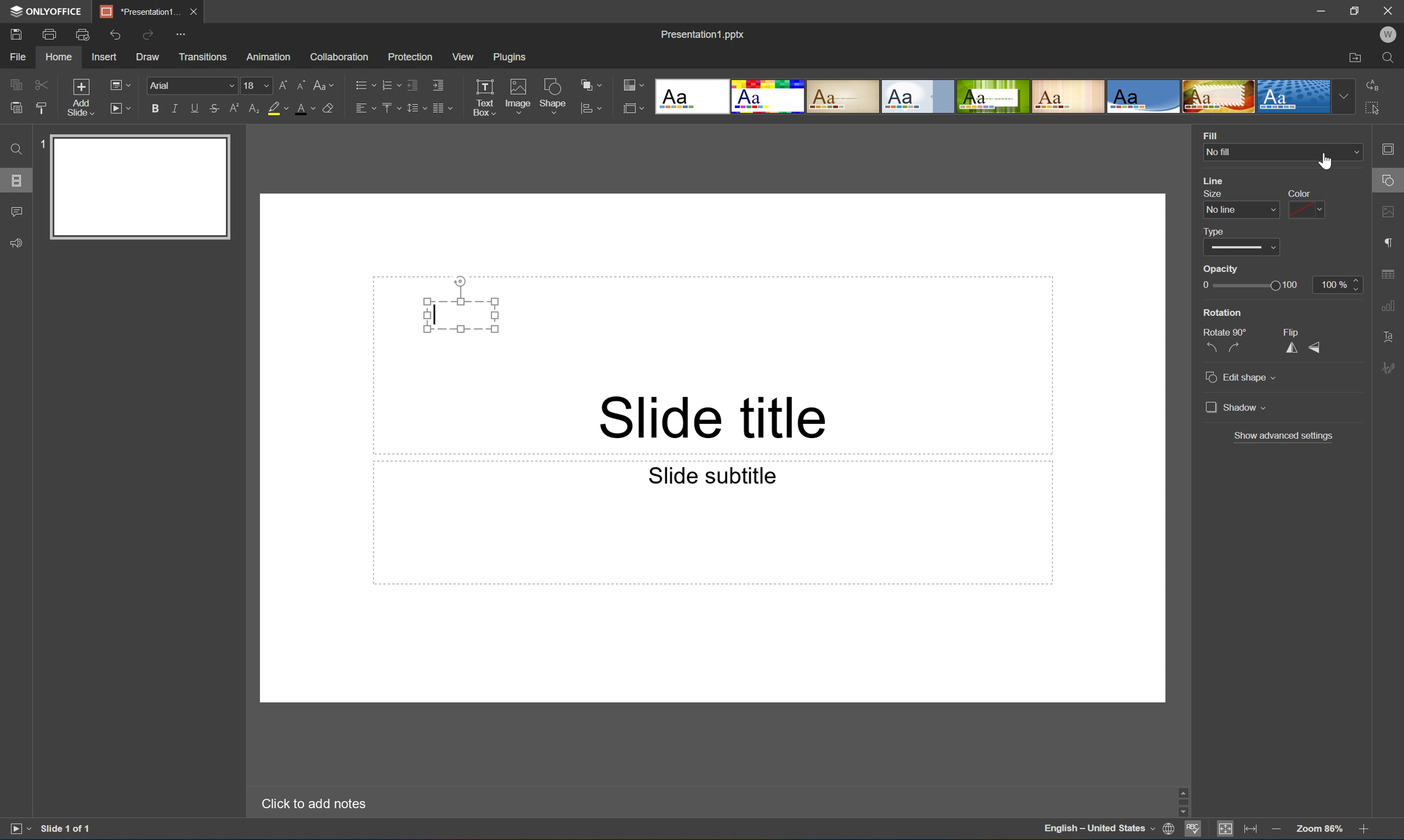  What do you see at coordinates (192, 10) in the screenshot?
I see `Close` at bounding box center [192, 10].